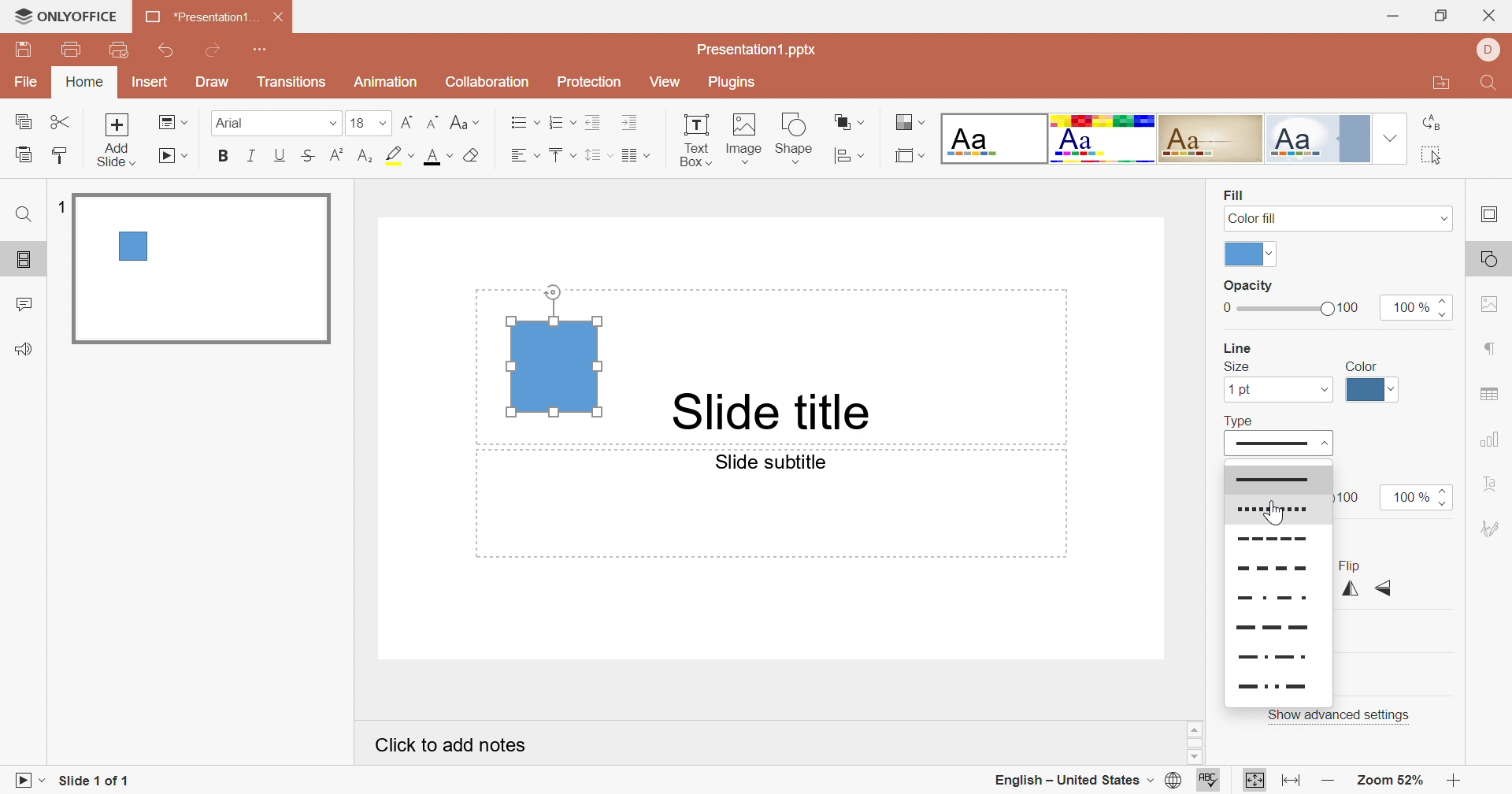  I want to click on Restore Down, so click(1442, 15).